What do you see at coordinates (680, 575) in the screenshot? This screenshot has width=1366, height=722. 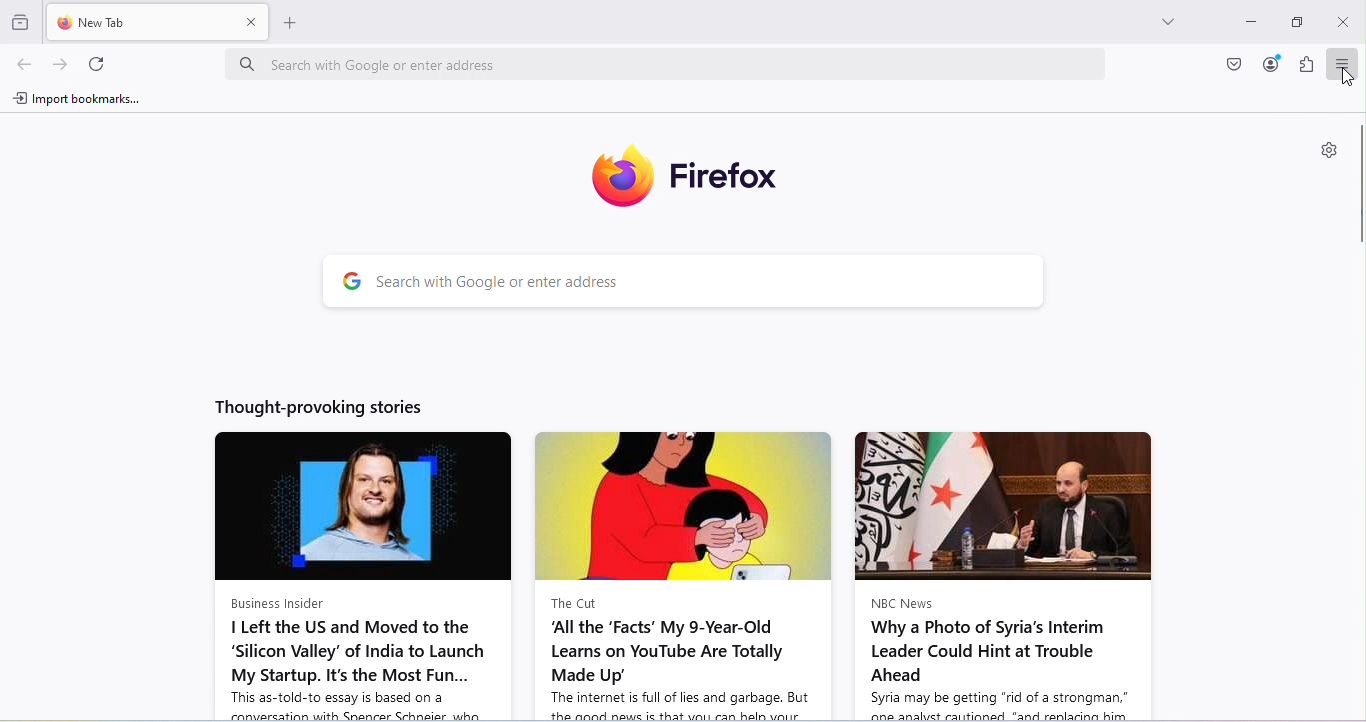 I see `new article from the cut` at bounding box center [680, 575].